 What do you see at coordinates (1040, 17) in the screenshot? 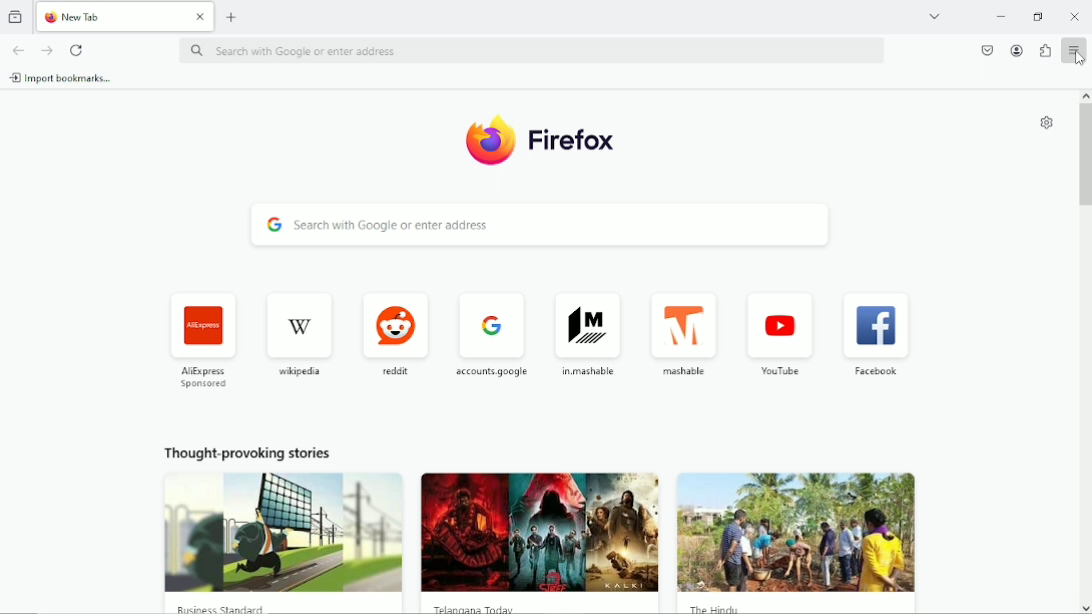
I see `restore down` at bounding box center [1040, 17].